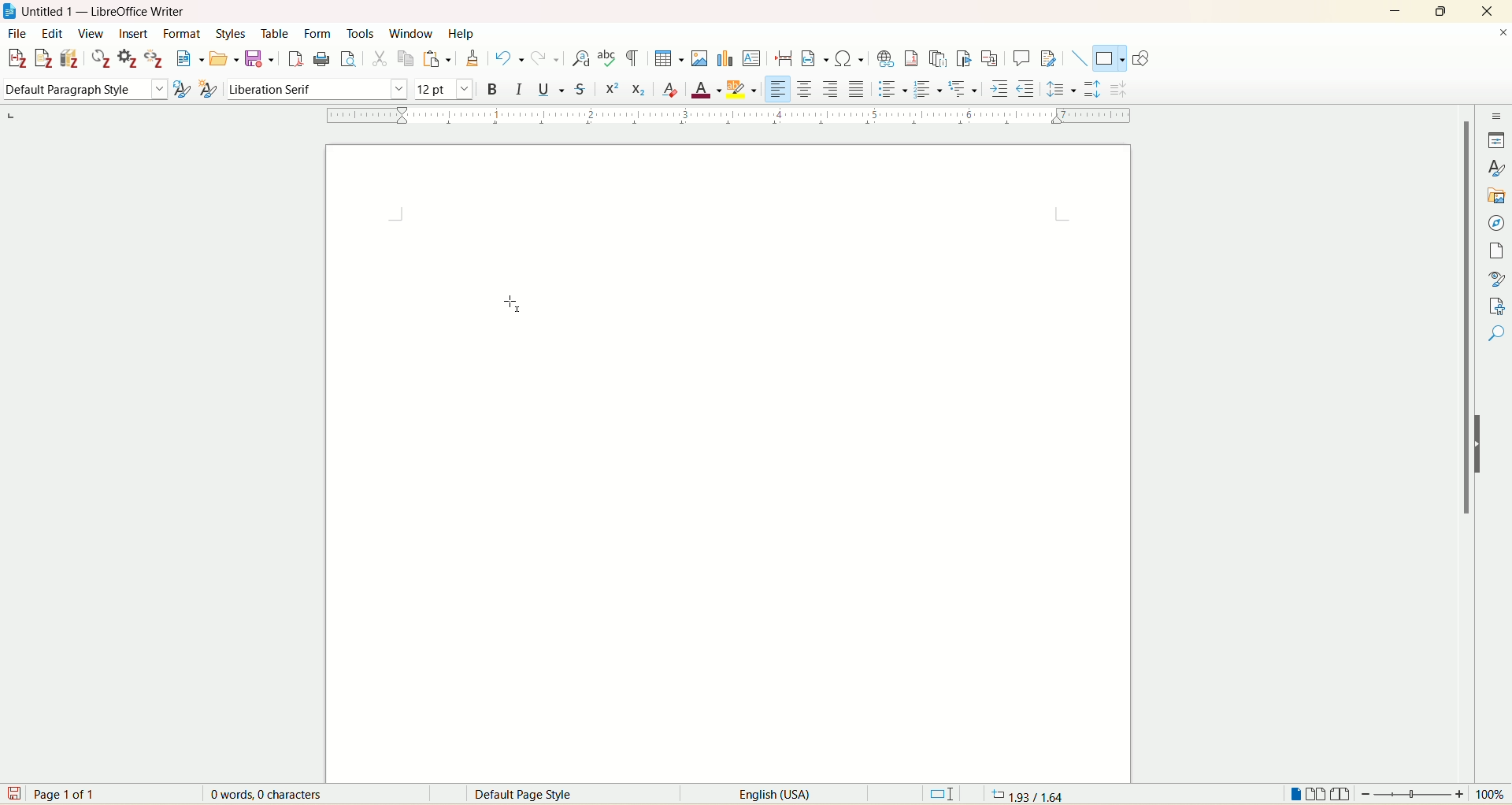 The image size is (1512, 805). I want to click on manage changes, so click(1498, 305).